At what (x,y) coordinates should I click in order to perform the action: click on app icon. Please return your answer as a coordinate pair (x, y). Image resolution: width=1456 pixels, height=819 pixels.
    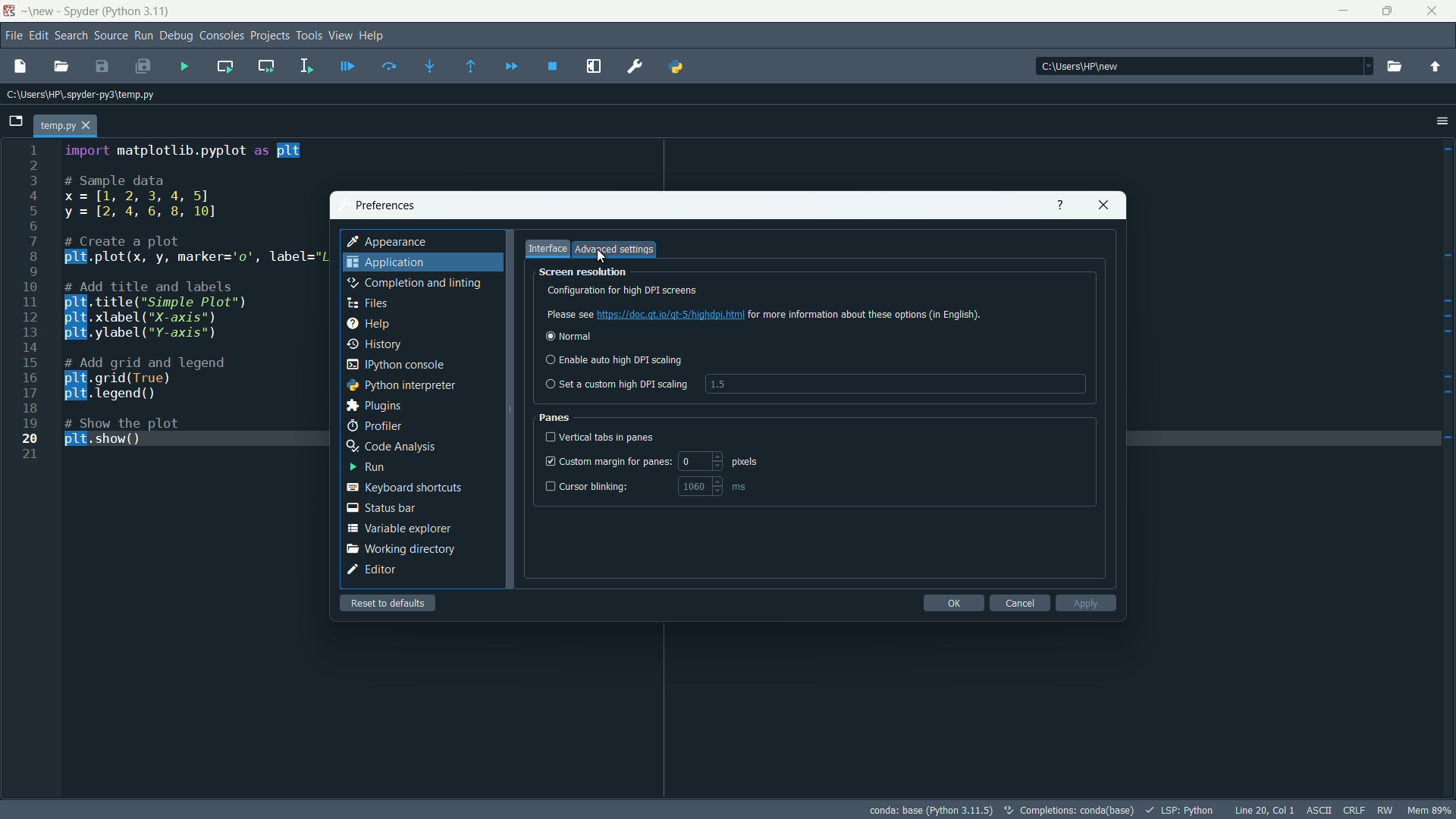
    Looking at the image, I should click on (11, 11).